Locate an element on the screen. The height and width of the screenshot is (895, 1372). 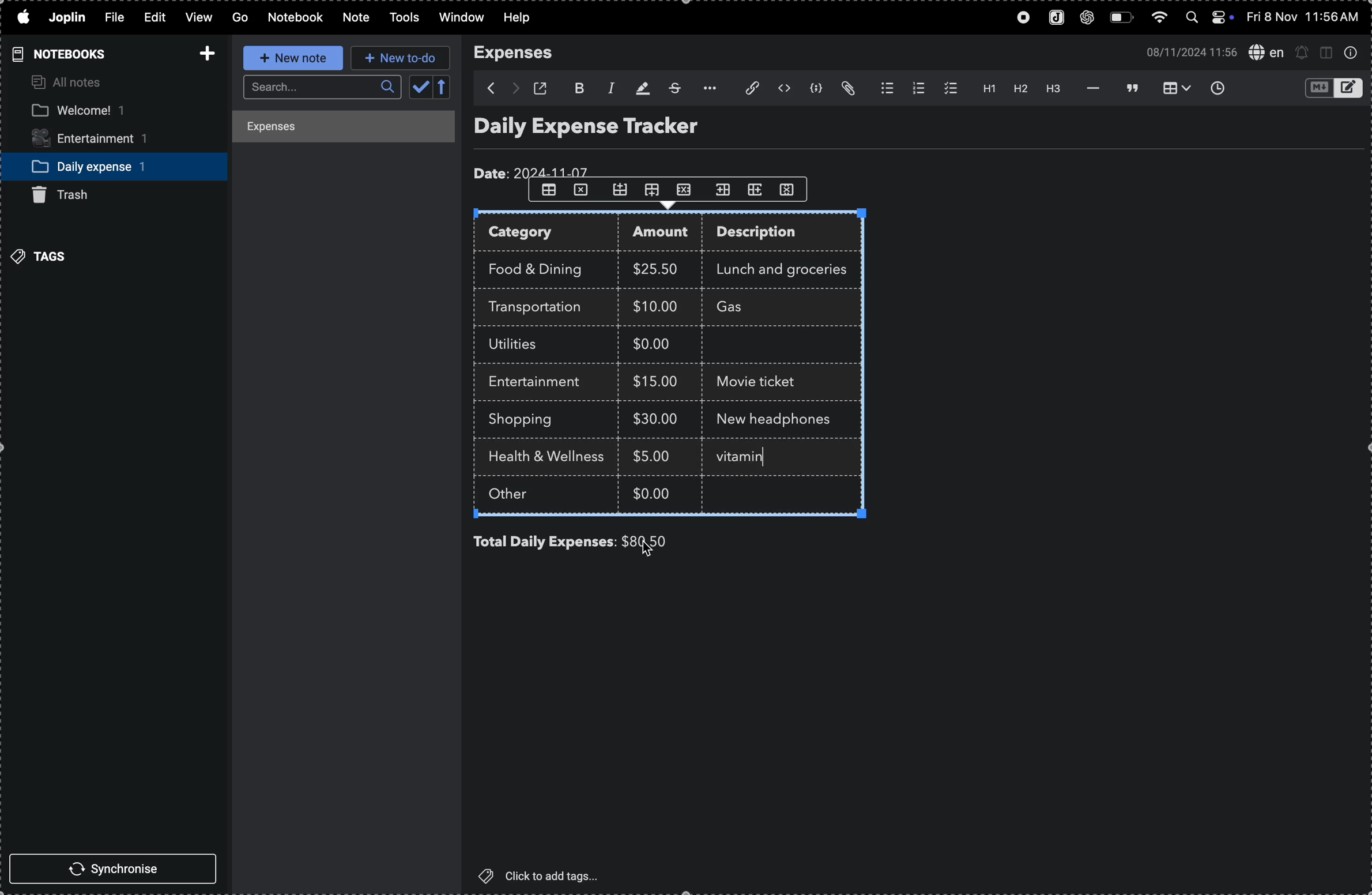
joplin is located at coordinates (1053, 18).